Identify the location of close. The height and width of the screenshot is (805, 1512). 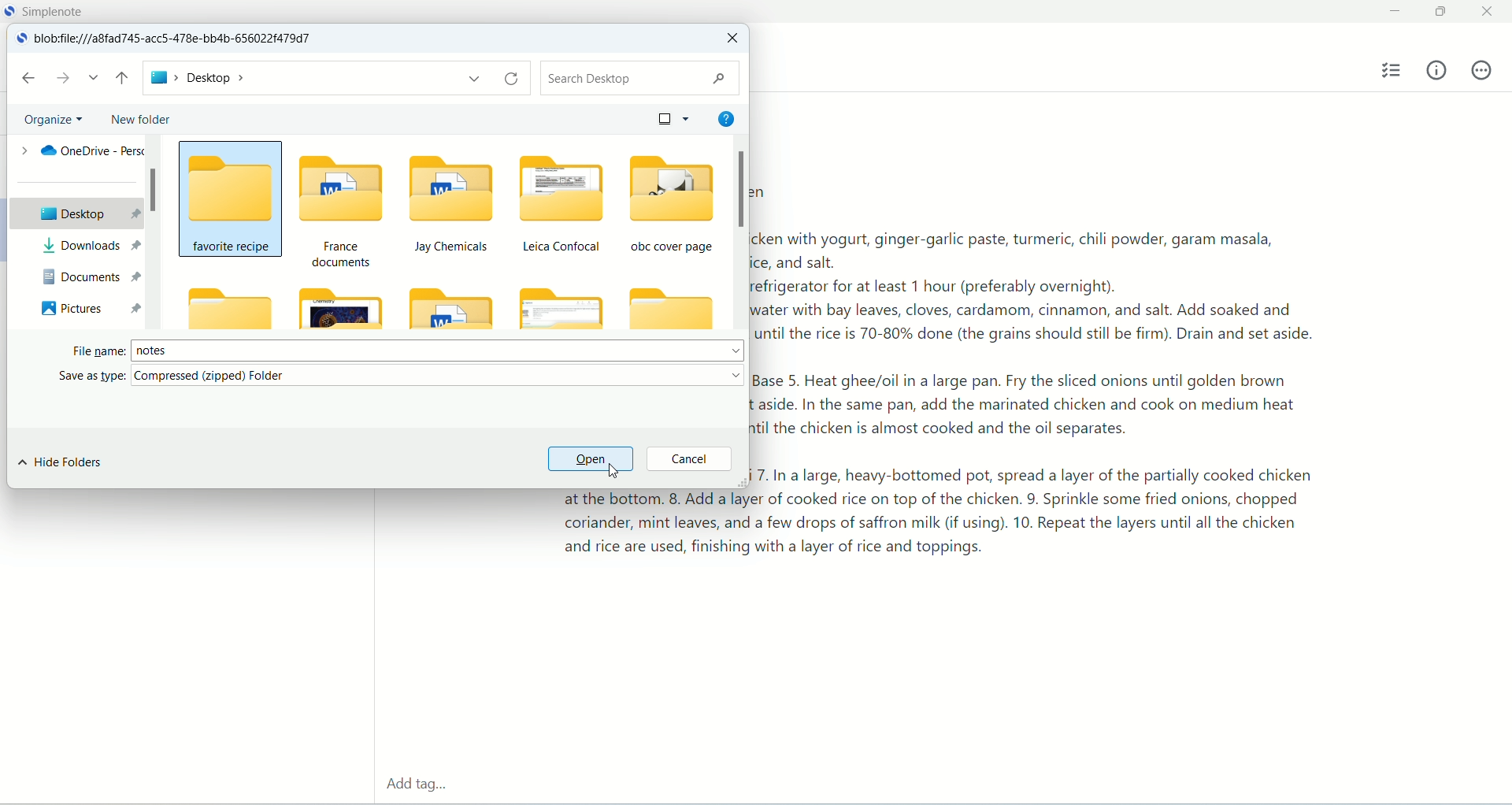
(731, 39).